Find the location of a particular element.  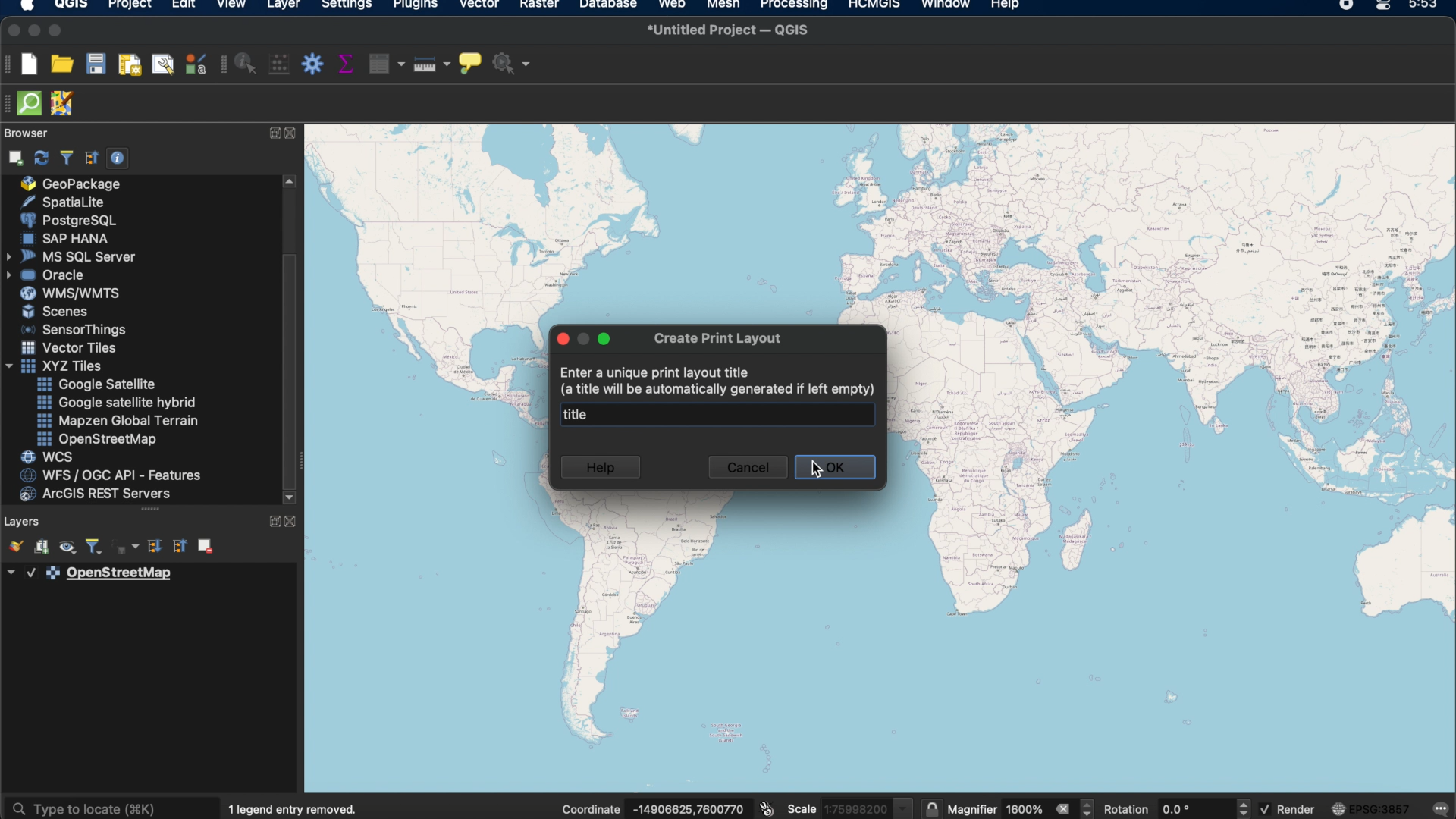

geo package is located at coordinates (75, 184).